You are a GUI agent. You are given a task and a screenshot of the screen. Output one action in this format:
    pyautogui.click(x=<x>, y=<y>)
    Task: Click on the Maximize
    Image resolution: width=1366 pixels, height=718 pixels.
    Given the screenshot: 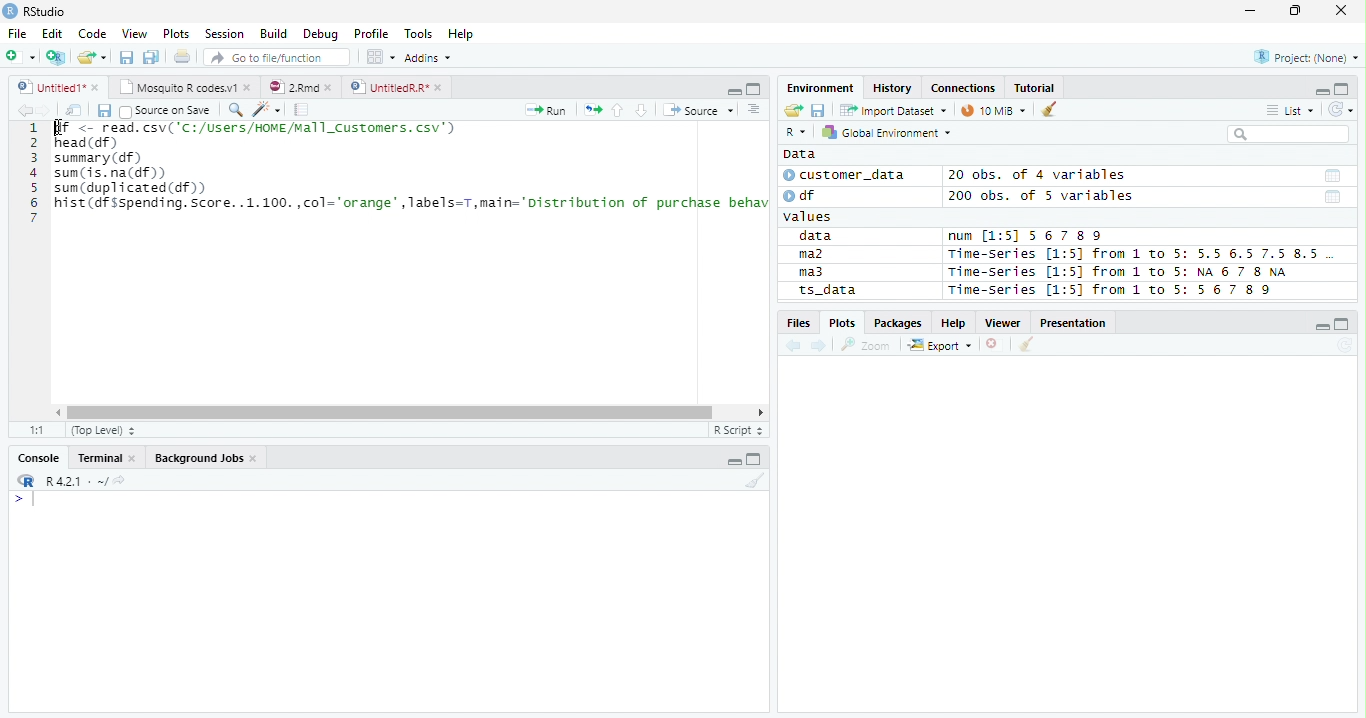 What is the action you would take?
    pyautogui.click(x=1343, y=89)
    